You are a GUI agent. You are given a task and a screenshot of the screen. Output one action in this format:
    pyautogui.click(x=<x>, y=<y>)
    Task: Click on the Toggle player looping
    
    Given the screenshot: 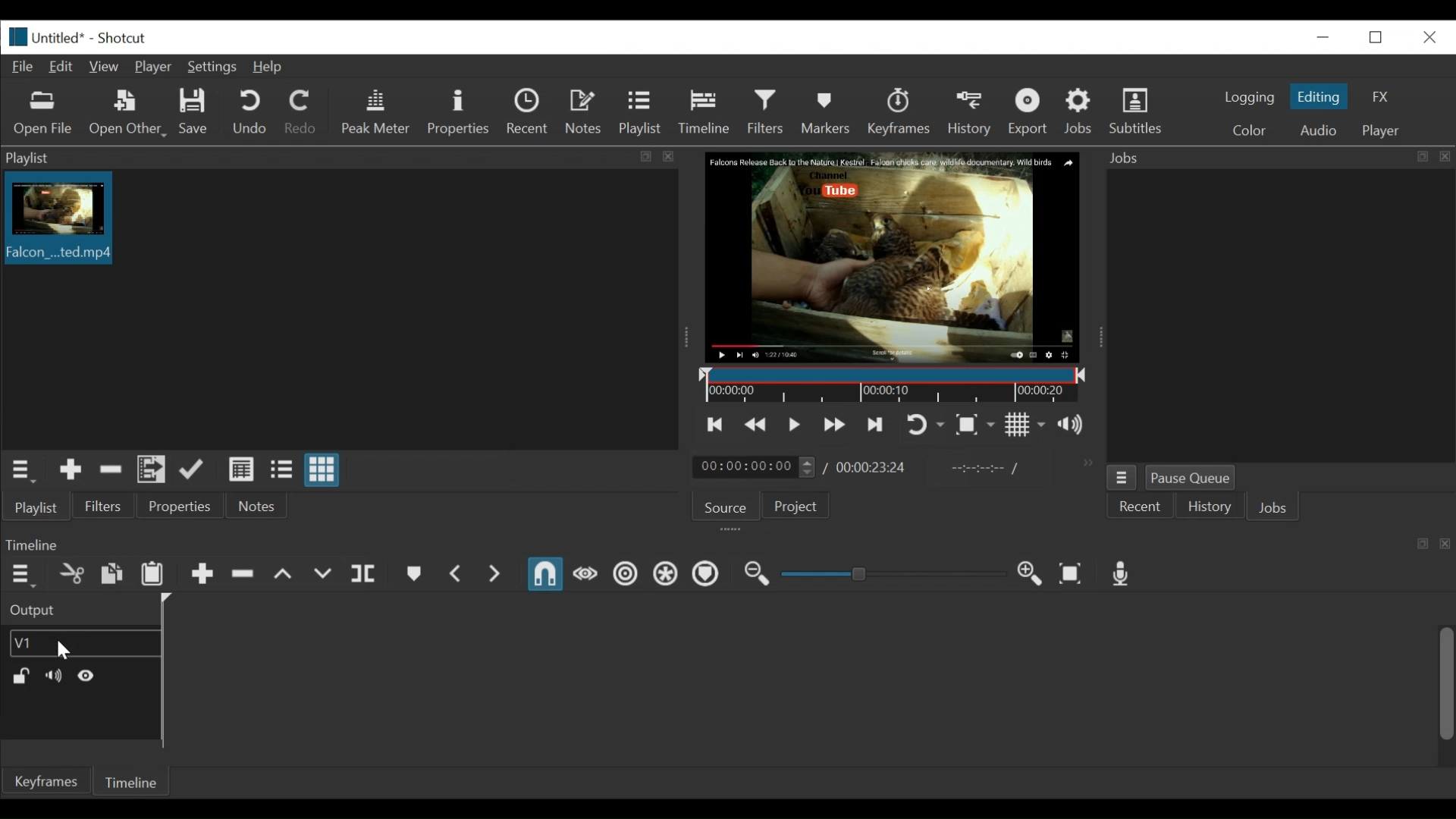 What is the action you would take?
    pyautogui.click(x=879, y=425)
    